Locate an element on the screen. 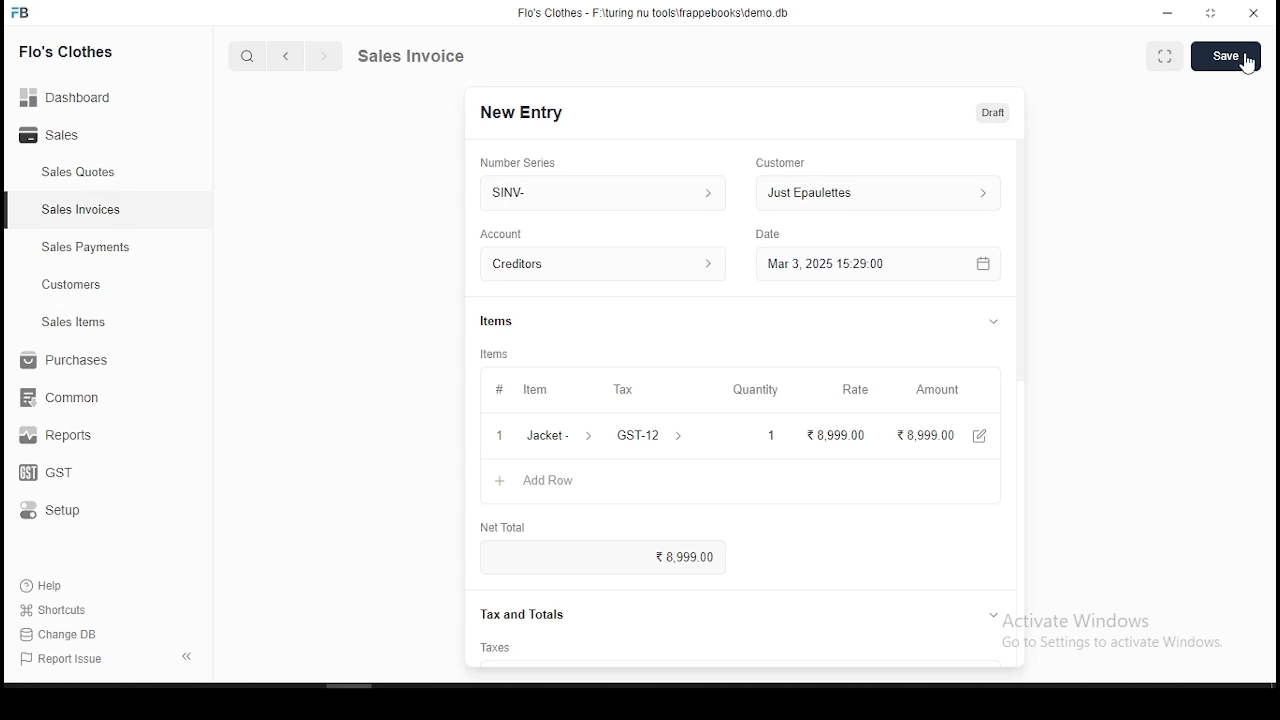 This screenshot has width=1280, height=720. + AddRow is located at coordinates (730, 481).